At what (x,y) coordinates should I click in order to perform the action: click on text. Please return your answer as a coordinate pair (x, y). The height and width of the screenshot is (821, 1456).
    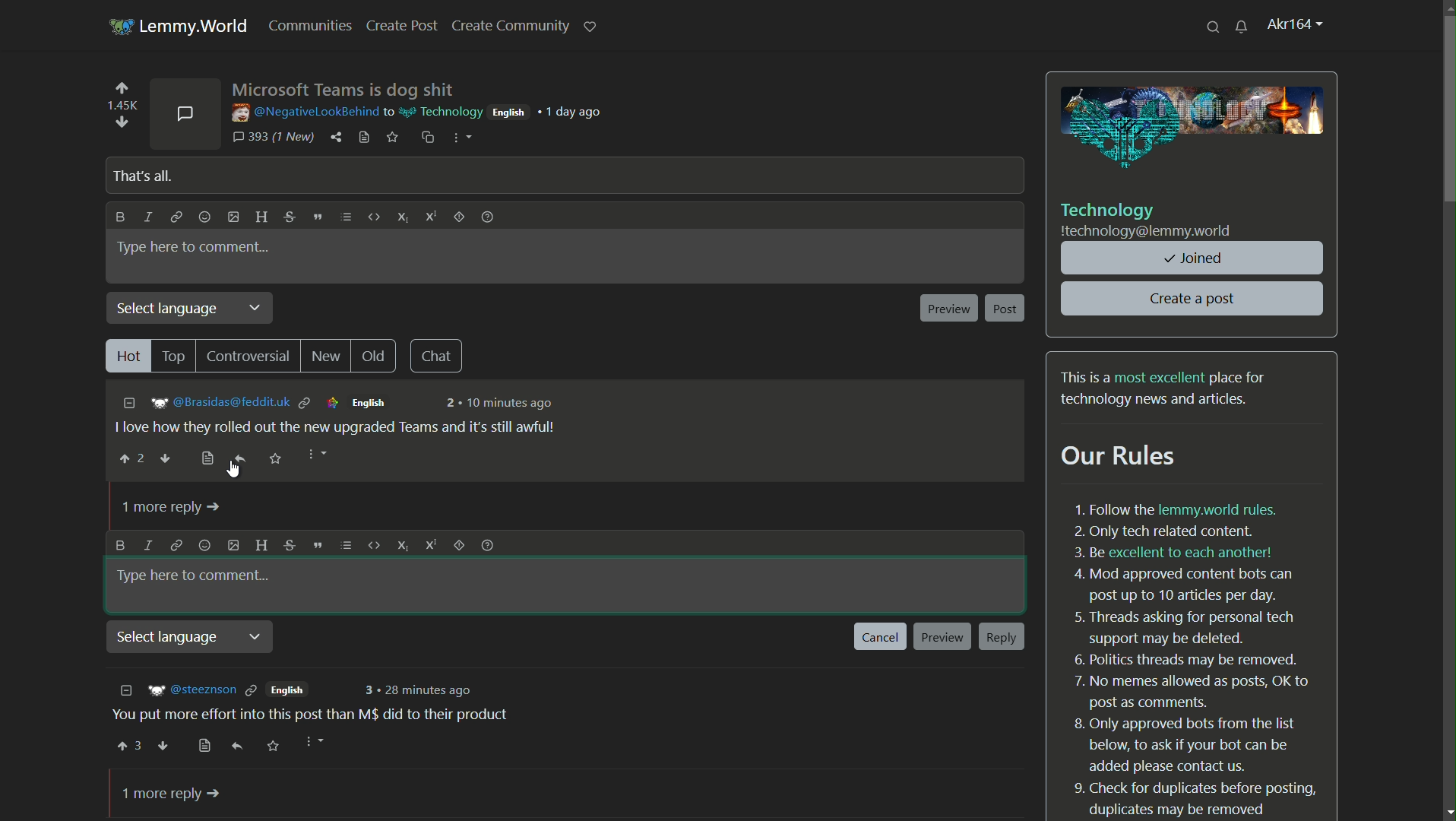
    Looking at the image, I should click on (1196, 656).